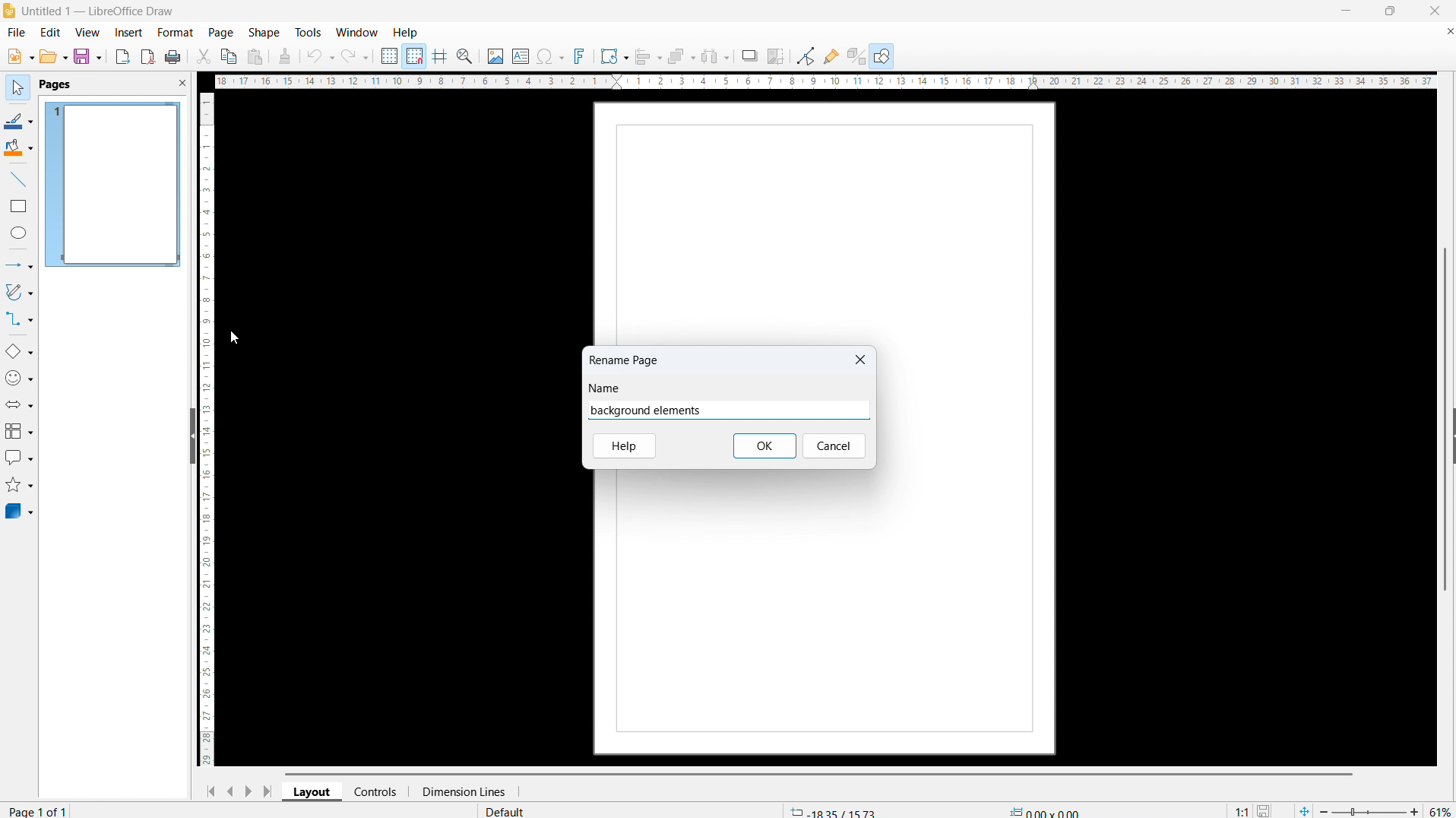 The image size is (1456, 818). What do you see at coordinates (286, 55) in the screenshot?
I see `clone formatting` at bounding box center [286, 55].